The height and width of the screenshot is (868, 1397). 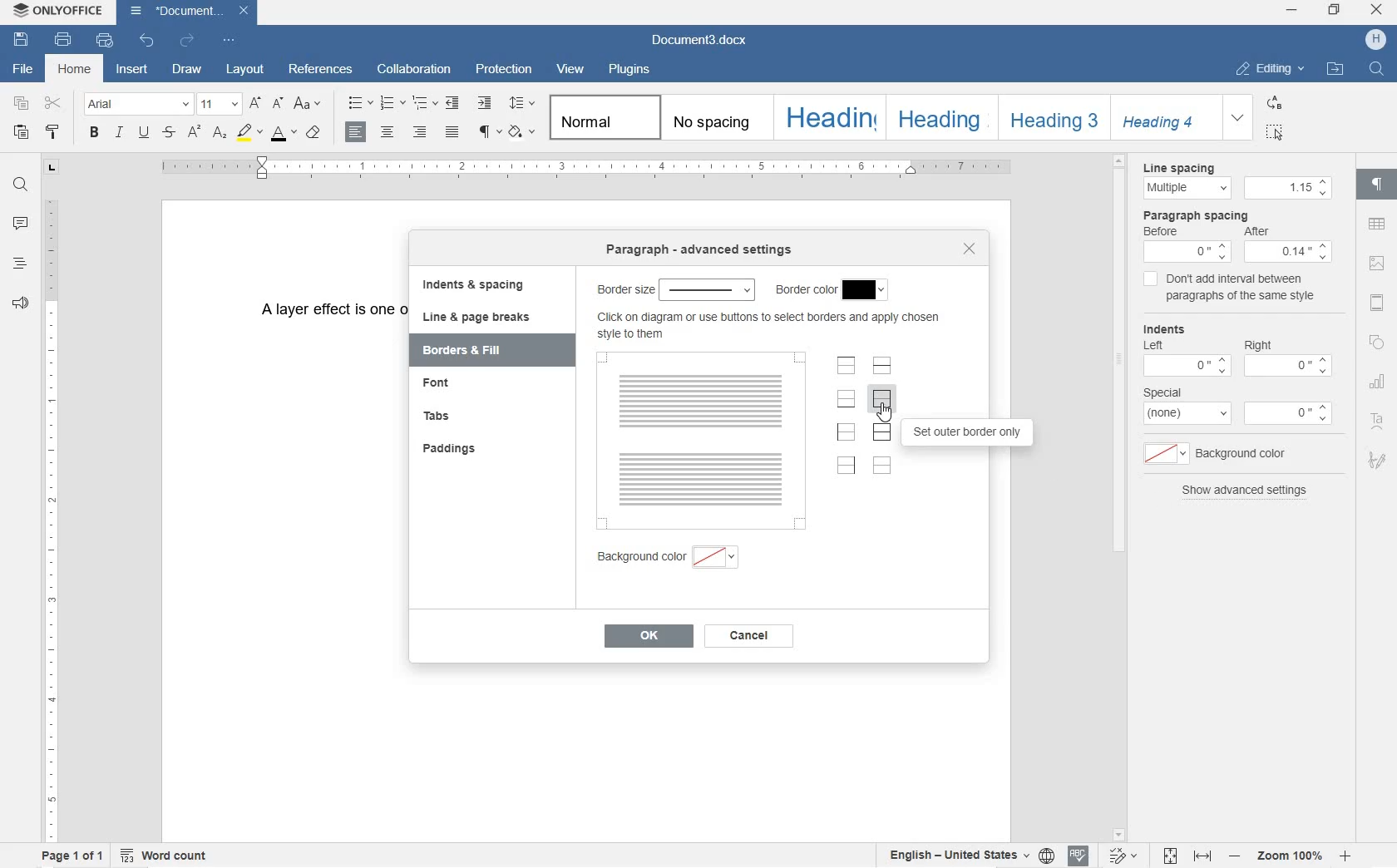 I want to click on cursor, so click(x=887, y=412).